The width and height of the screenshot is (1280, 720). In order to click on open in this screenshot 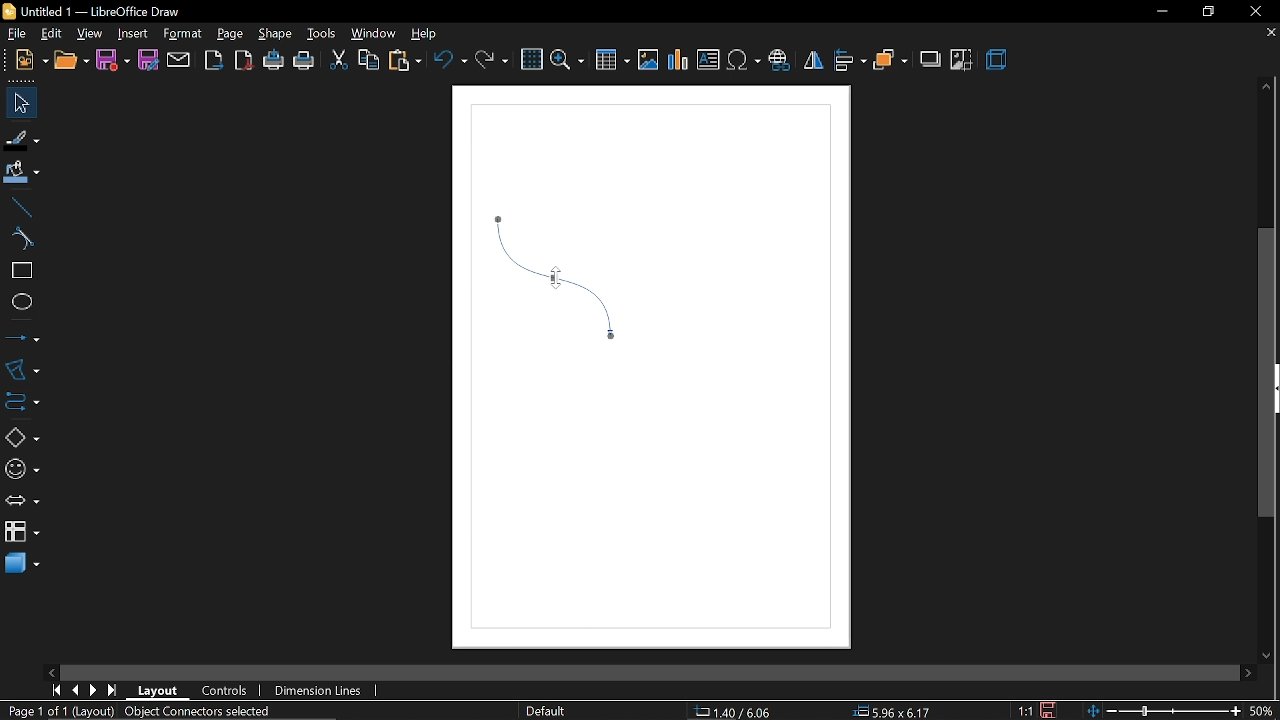, I will do `click(69, 62)`.